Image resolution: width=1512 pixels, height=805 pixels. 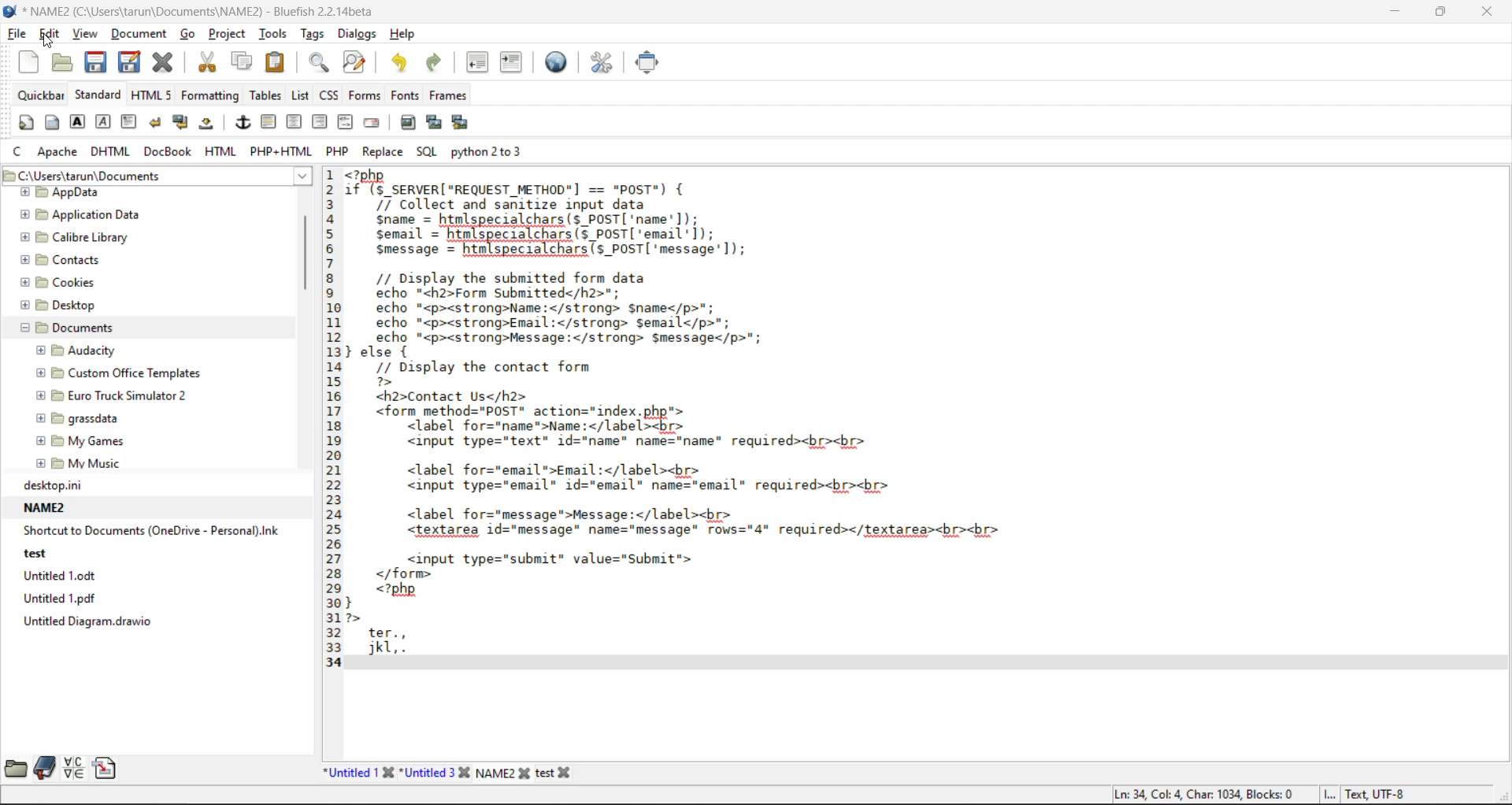 What do you see at coordinates (155, 97) in the screenshot?
I see `html 5` at bounding box center [155, 97].